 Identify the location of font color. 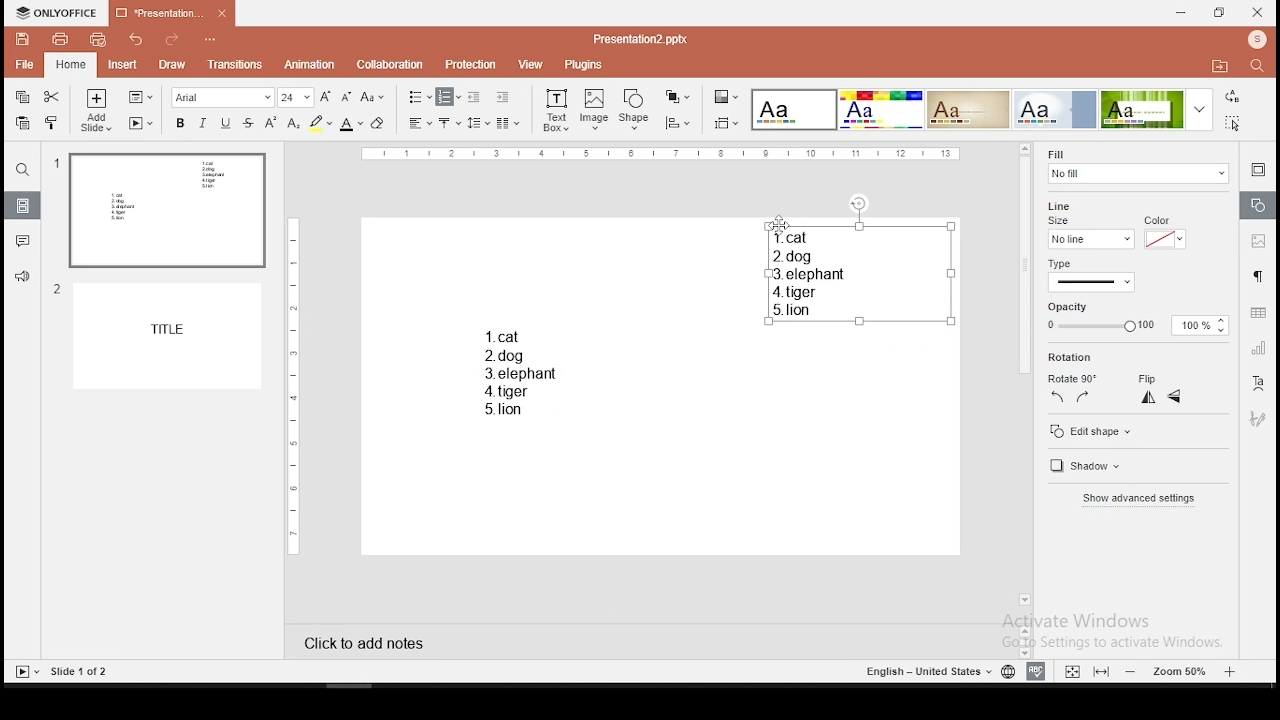
(351, 123).